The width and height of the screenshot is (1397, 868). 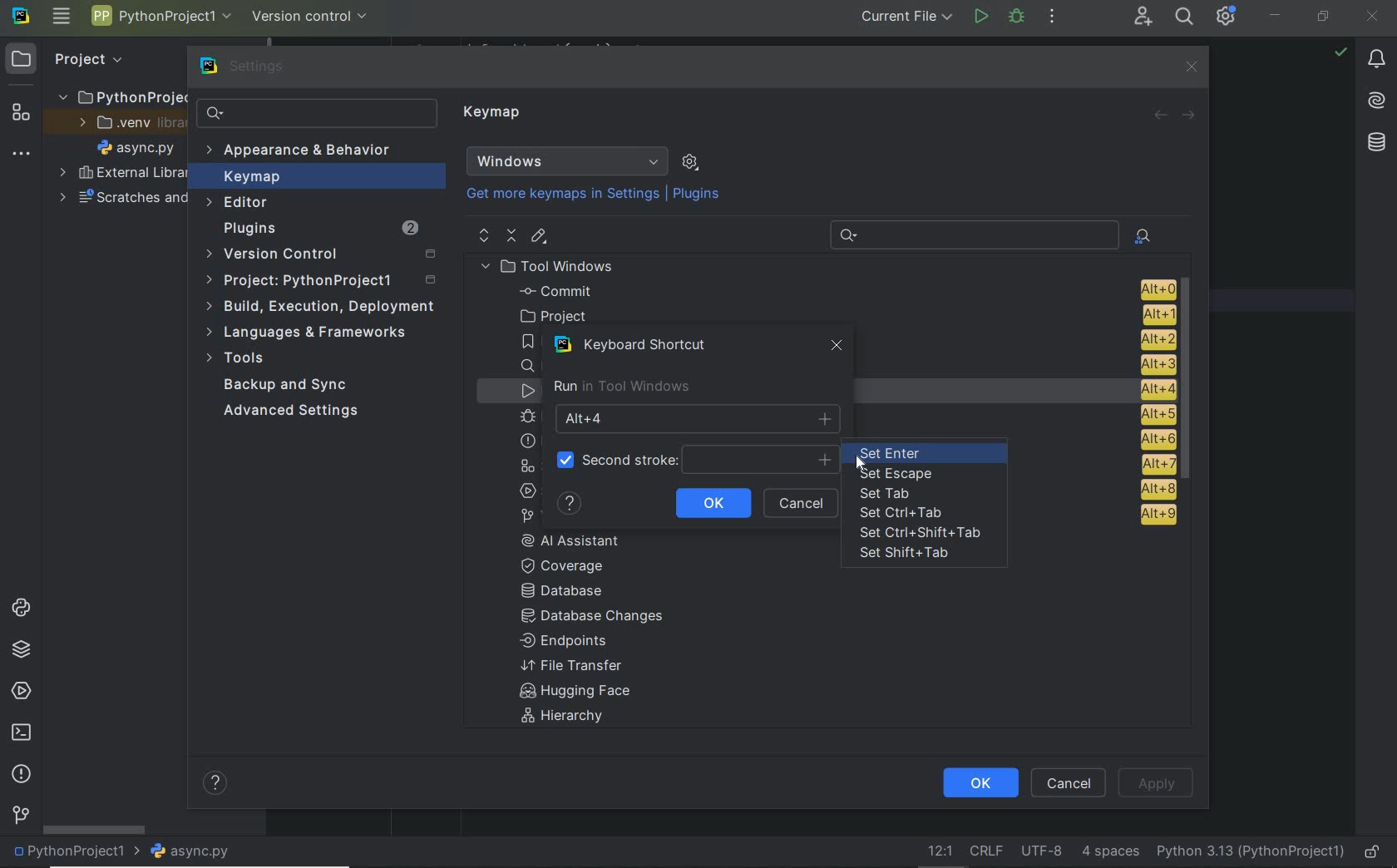 I want to click on Run in Tool Windows, so click(x=621, y=387).